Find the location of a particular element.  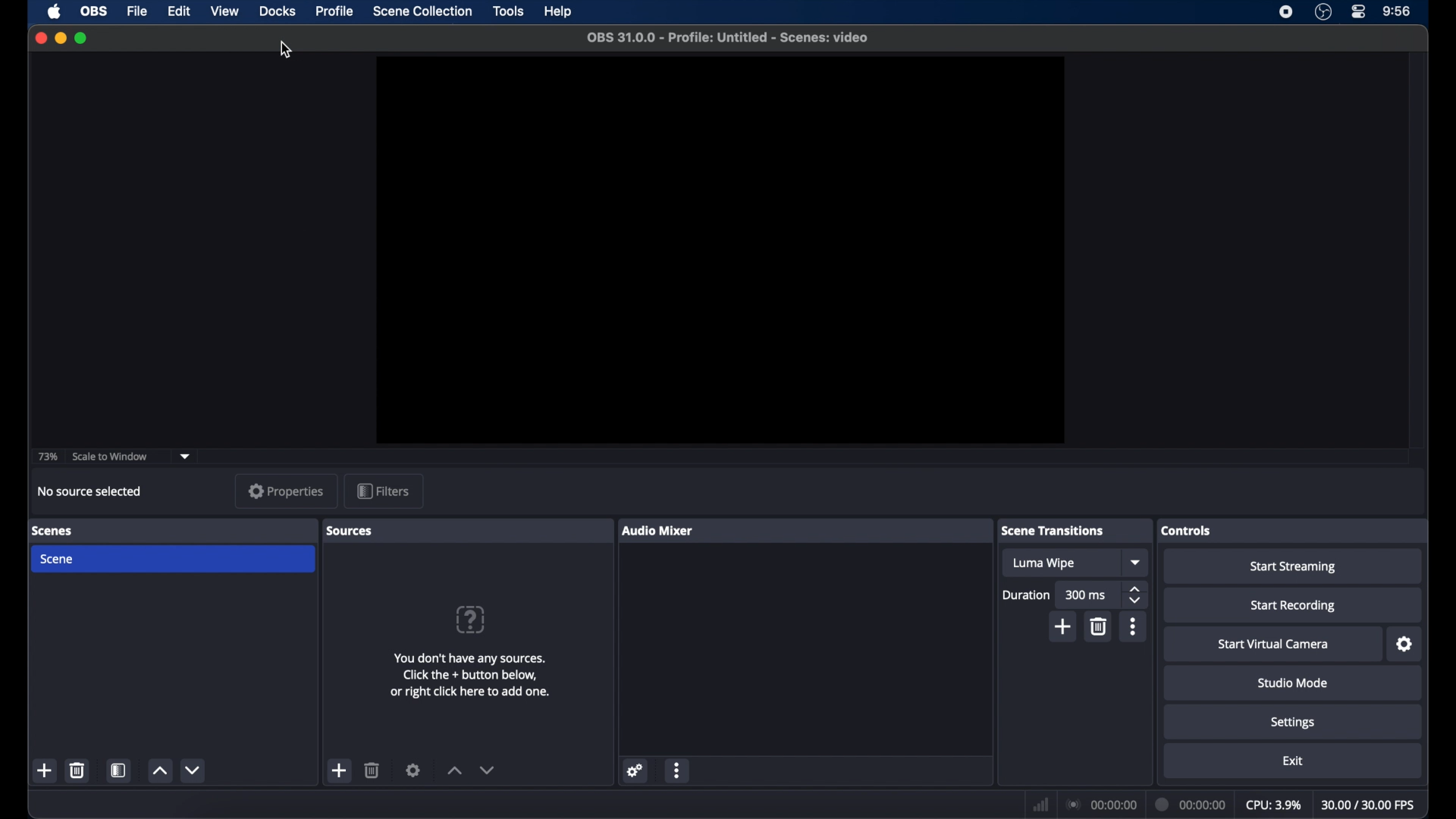

300 ms is located at coordinates (1087, 595).